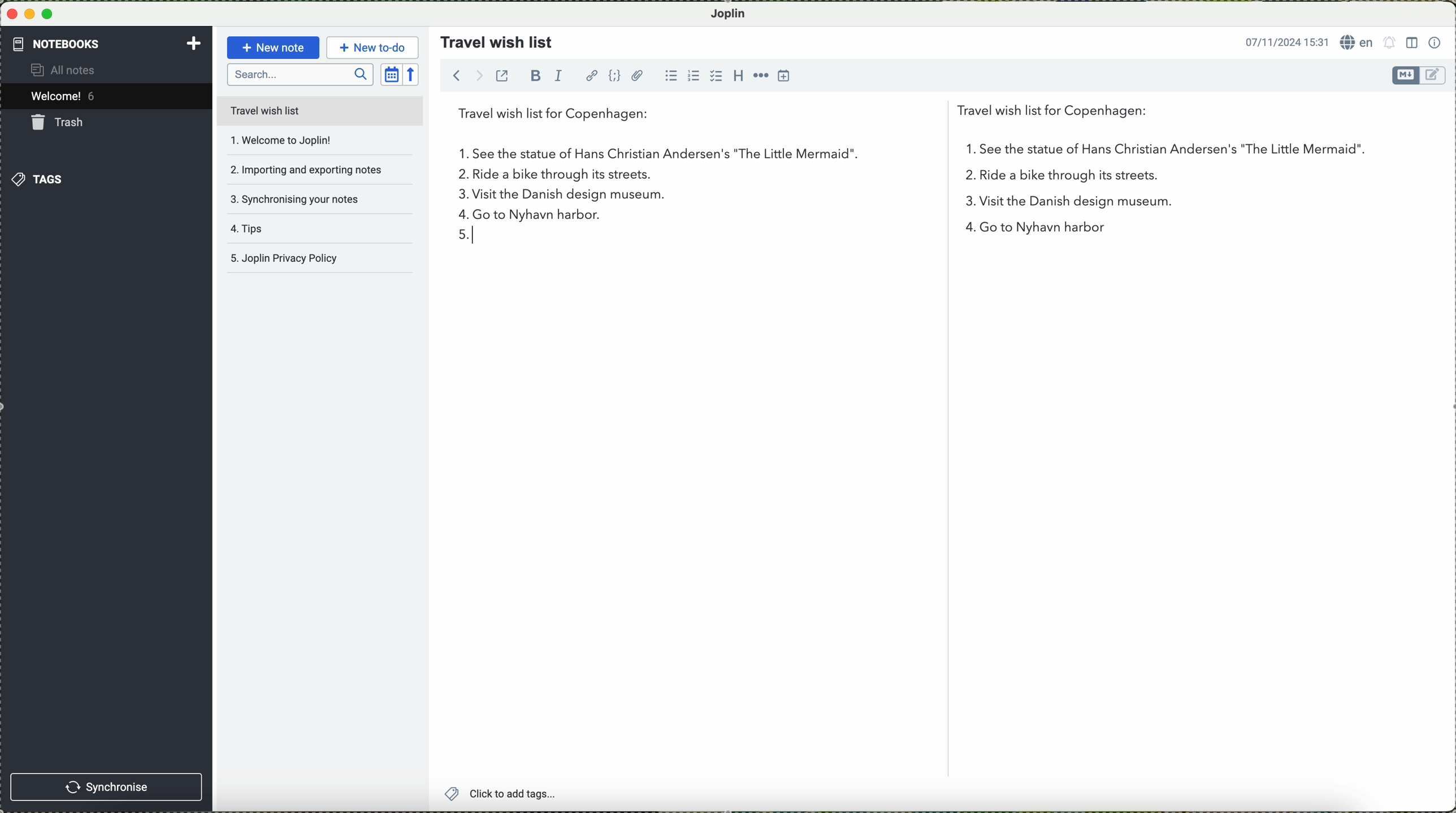  Describe the element at coordinates (107, 44) in the screenshot. I see `notebooks tab` at that location.